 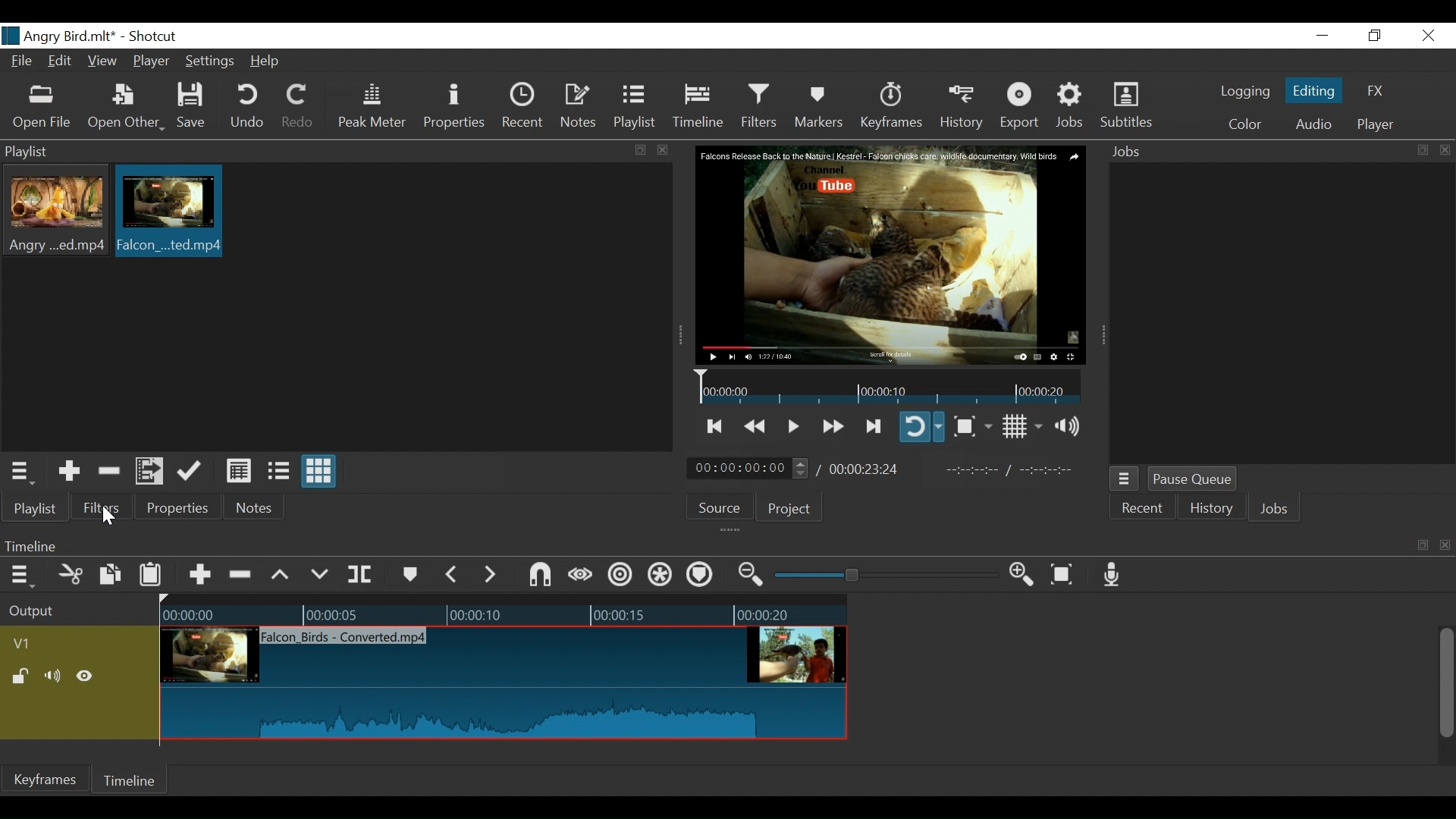 What do you see at coordinates (890, 386) in the screenshot?
I see `Timeline` at bounding box center [890, 386].